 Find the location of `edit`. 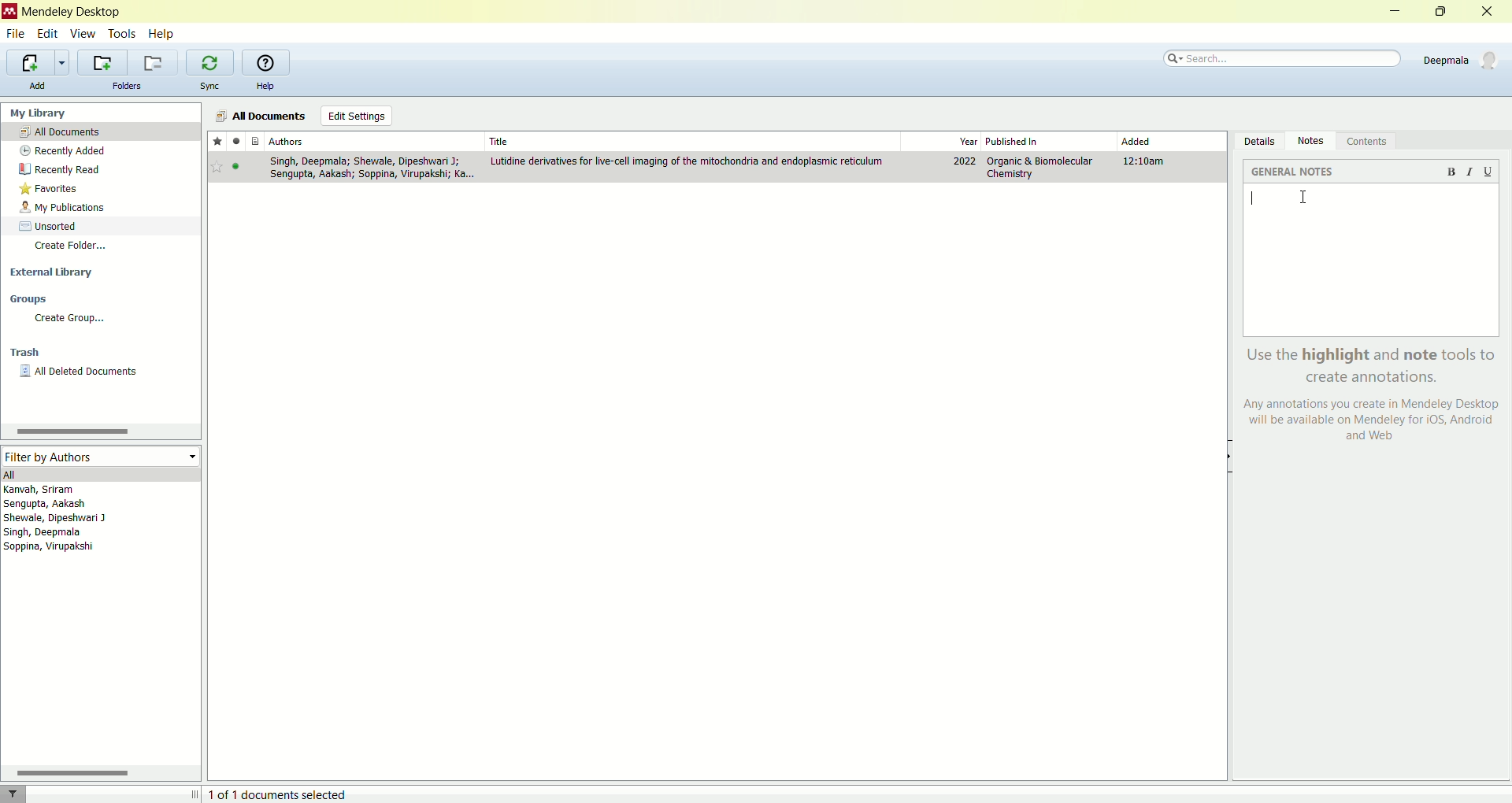

edit is located at coordinates (47, 33).